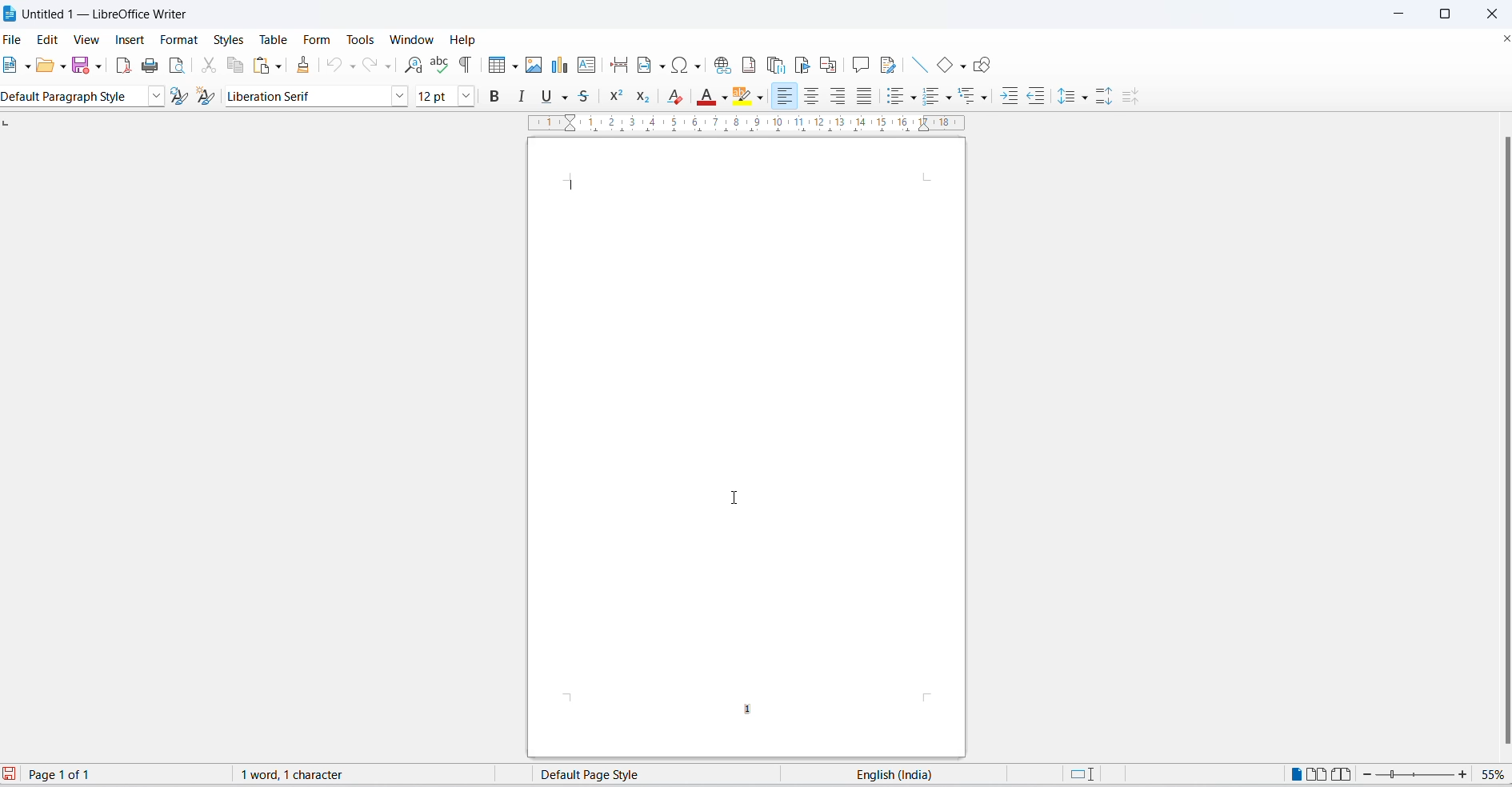 This screenshot has height=787, width=1512. What do you see at coordinates (863, 98) in the screenshot?
I see `justified` at bounding box center [863, 98].